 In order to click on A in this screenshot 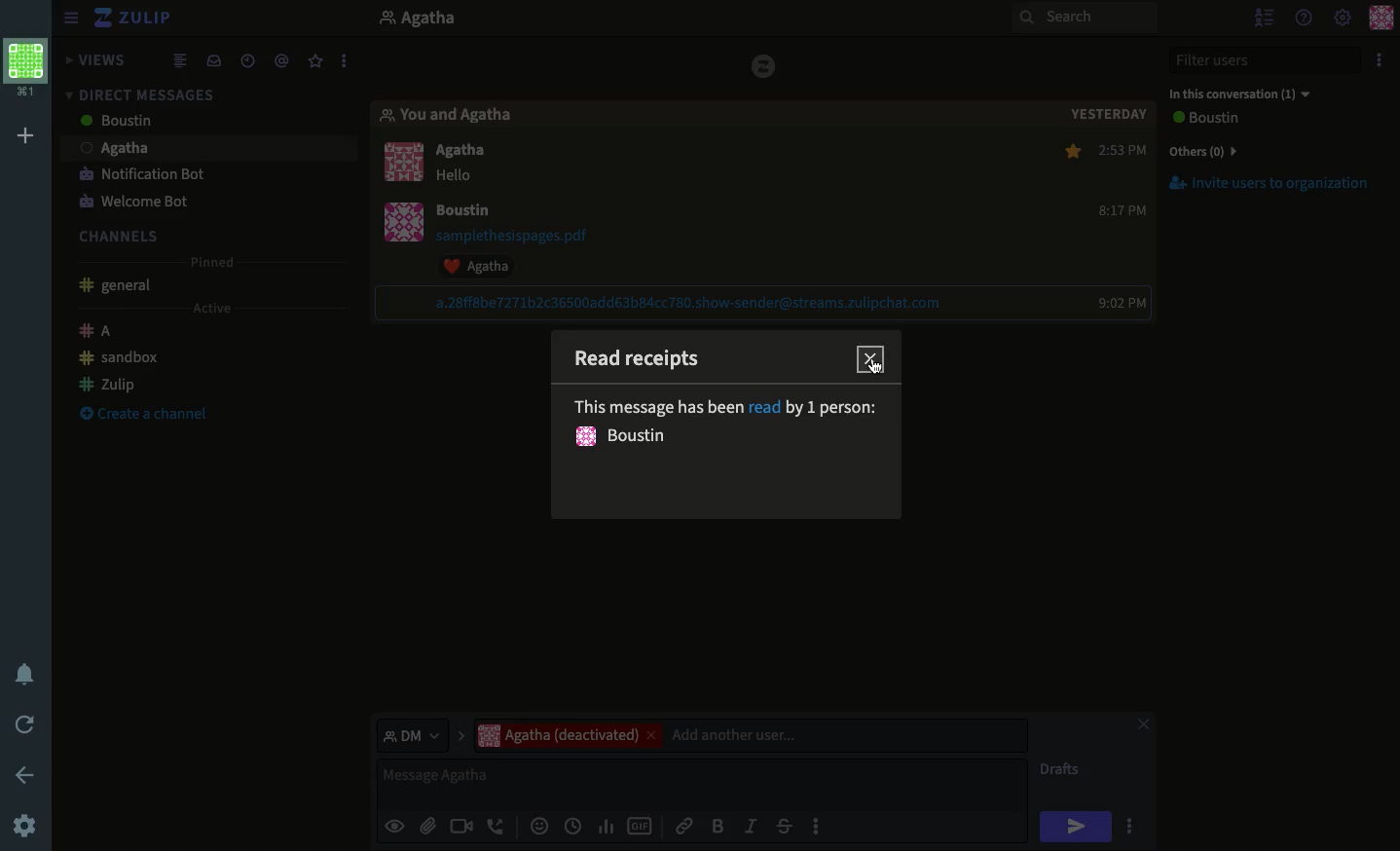, I will do `click(99, 333)`.